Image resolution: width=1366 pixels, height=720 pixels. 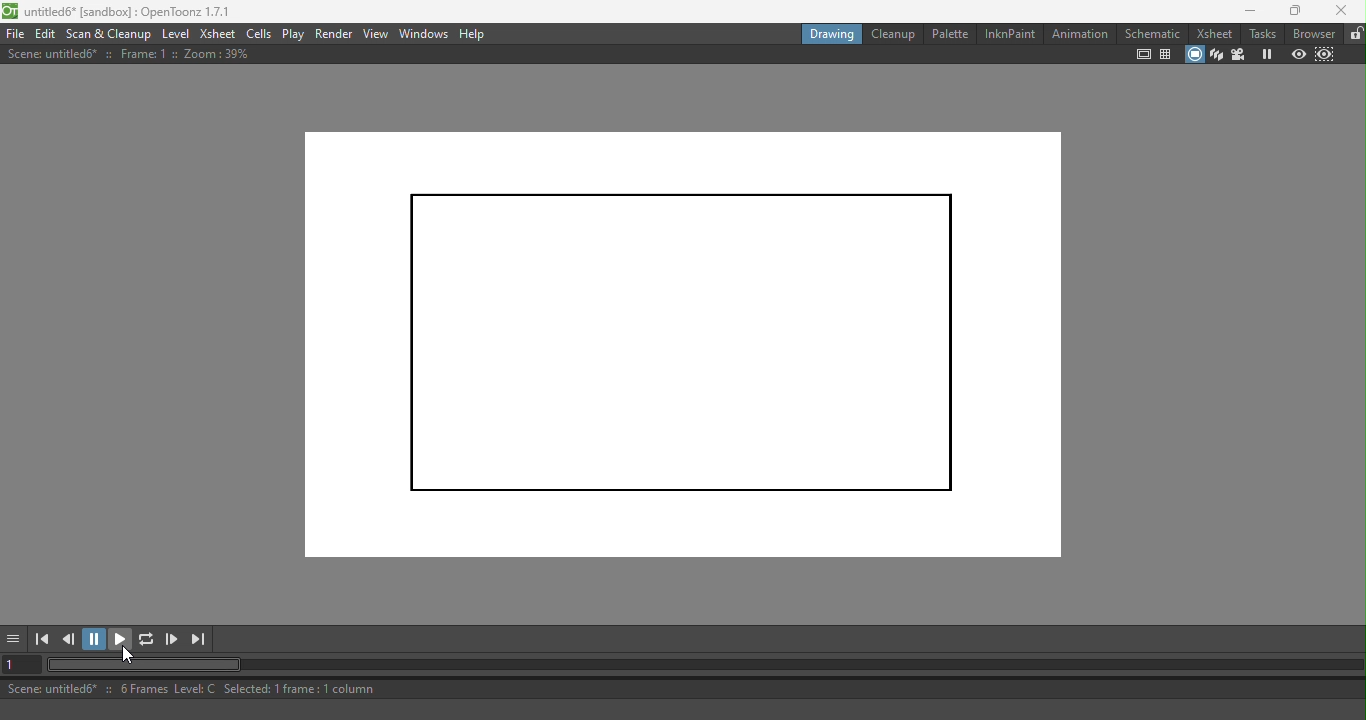 I want to click on Camera stand view, so click(x=1195, y=53).